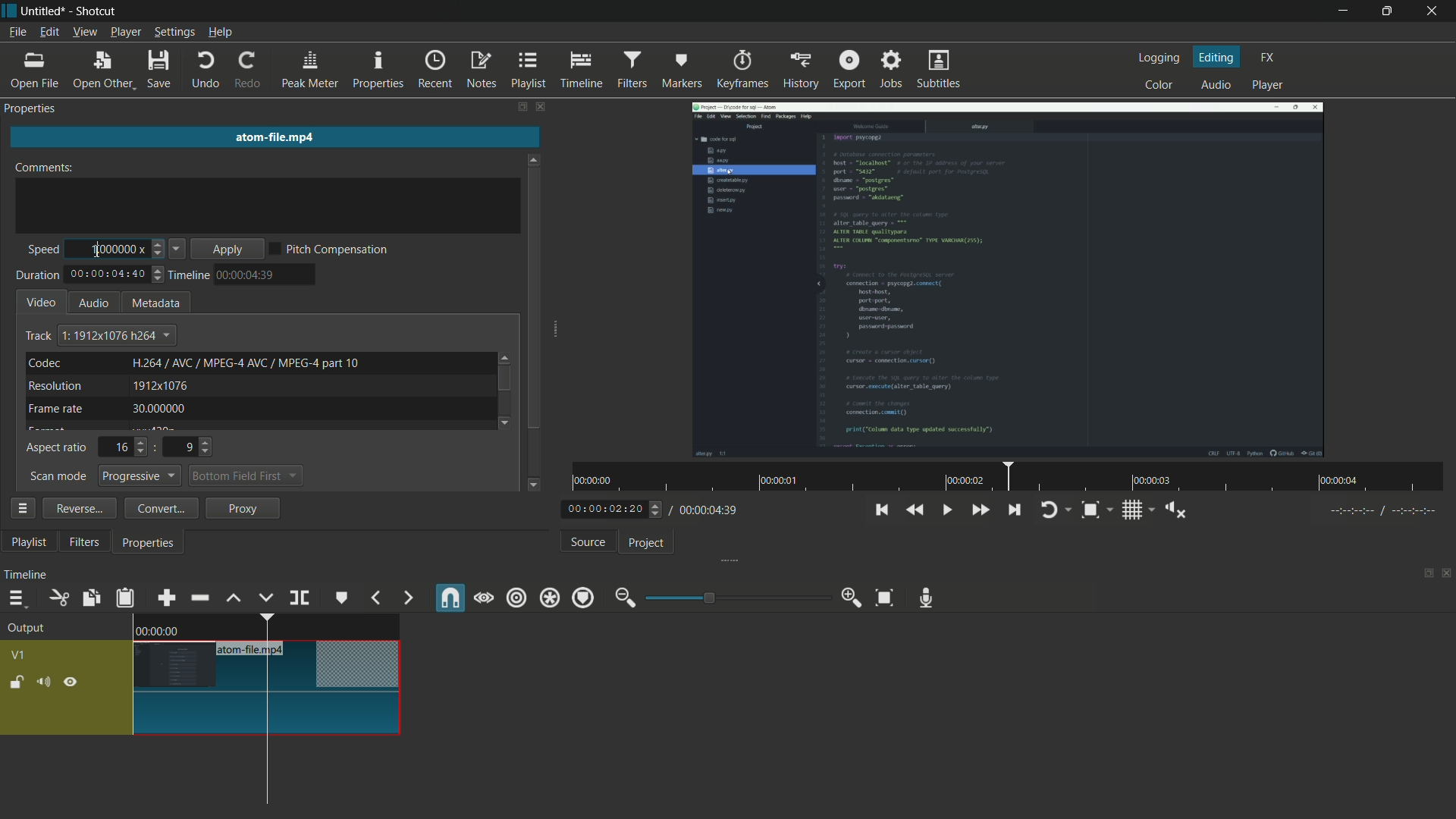  Describe the element at coordinates (121, 448) in the screenshot. I see `16` at that location.